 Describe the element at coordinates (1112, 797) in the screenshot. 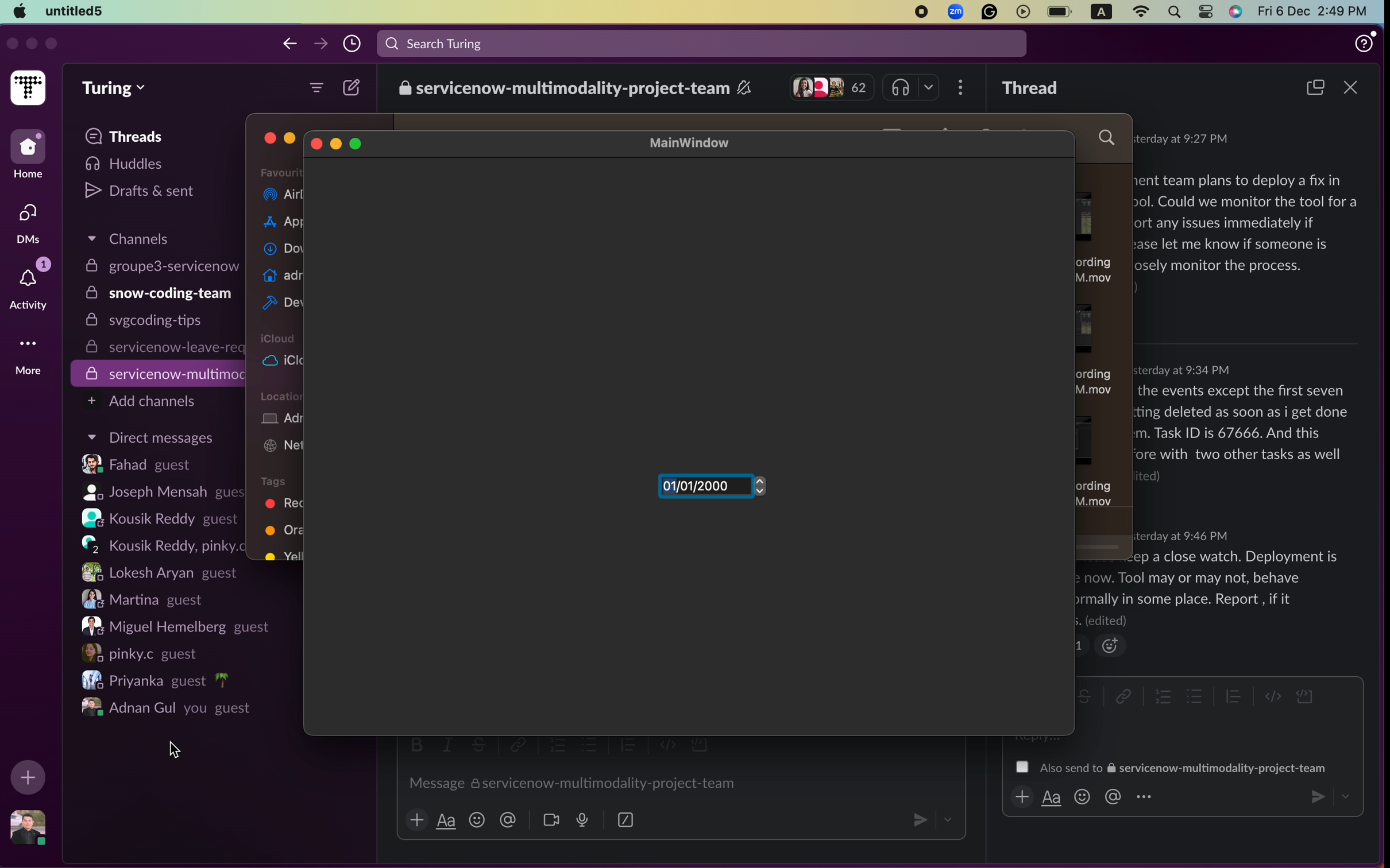

I see `@` at that location.